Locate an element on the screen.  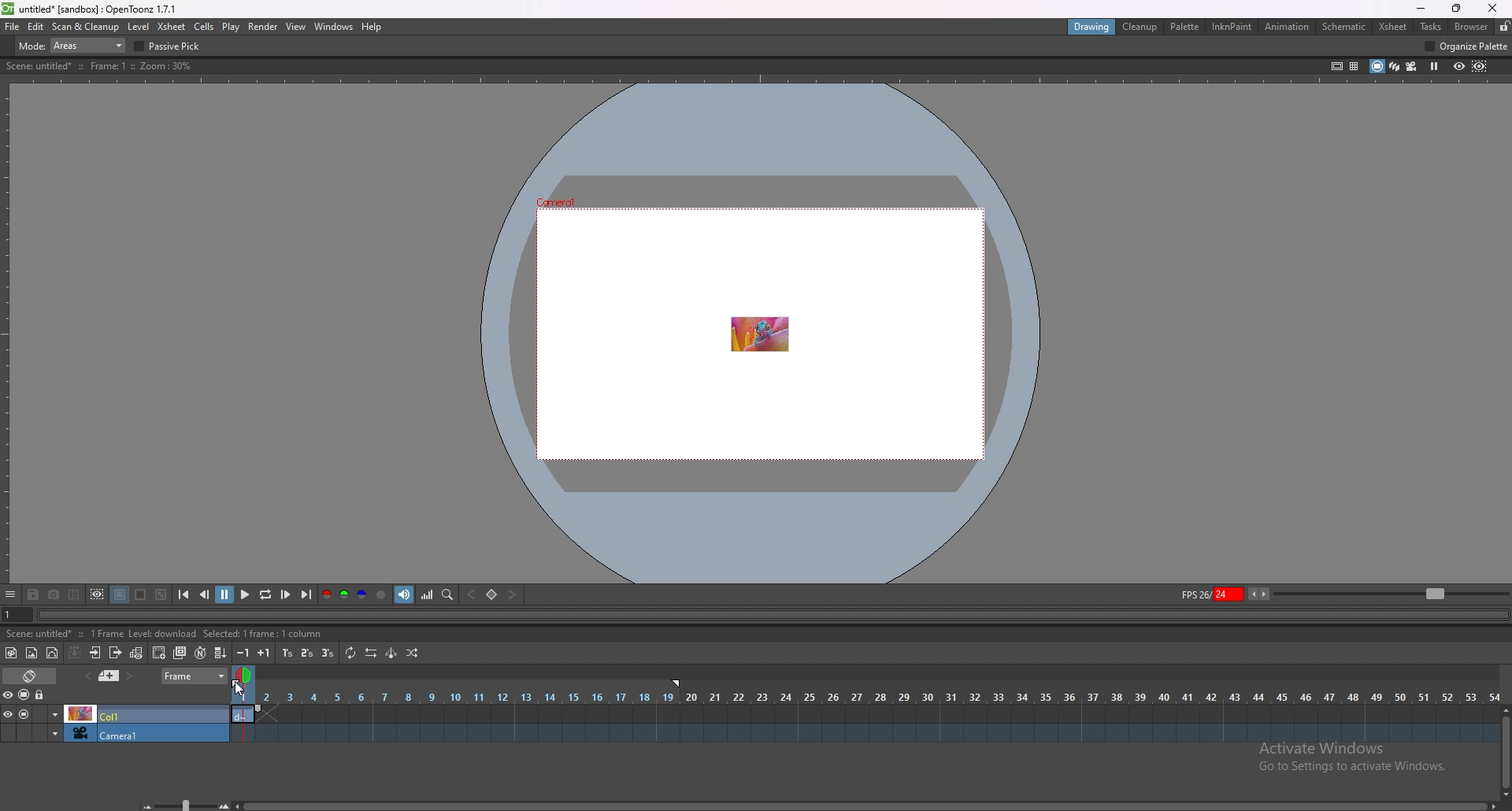
options is located at coordinates (11, 595).